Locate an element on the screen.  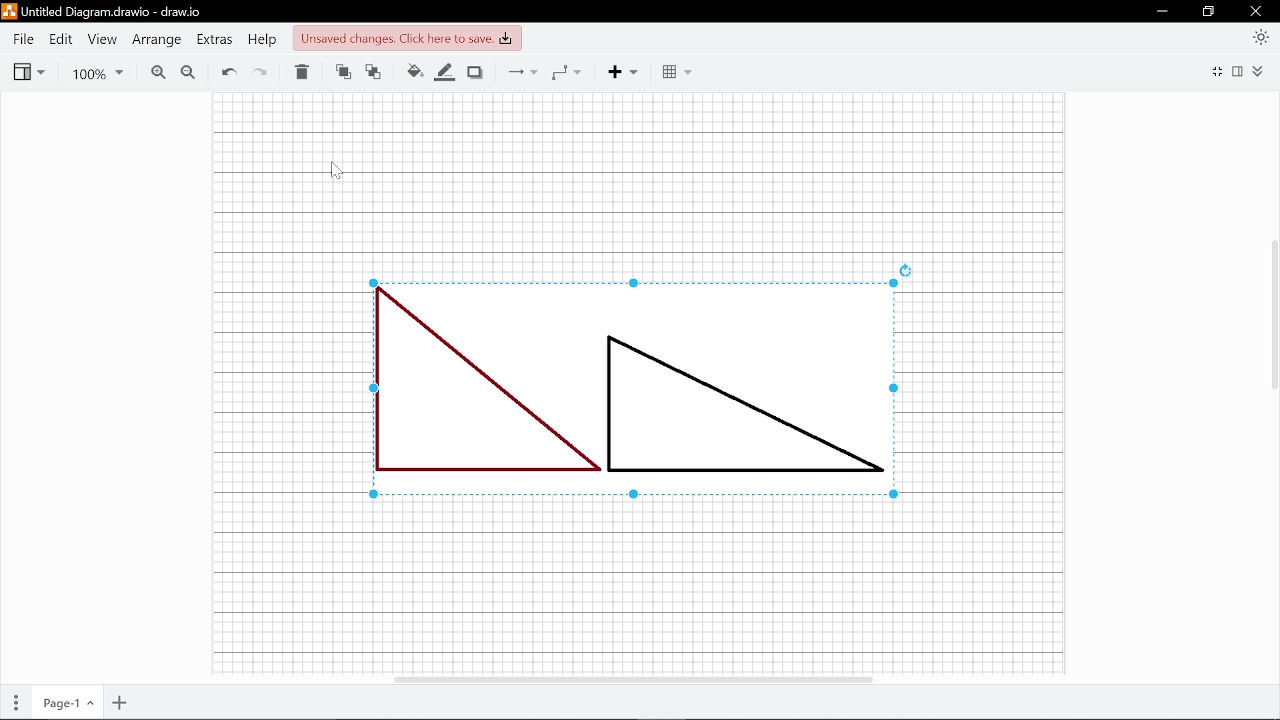
Fill line is located at coordinates (443, 74).